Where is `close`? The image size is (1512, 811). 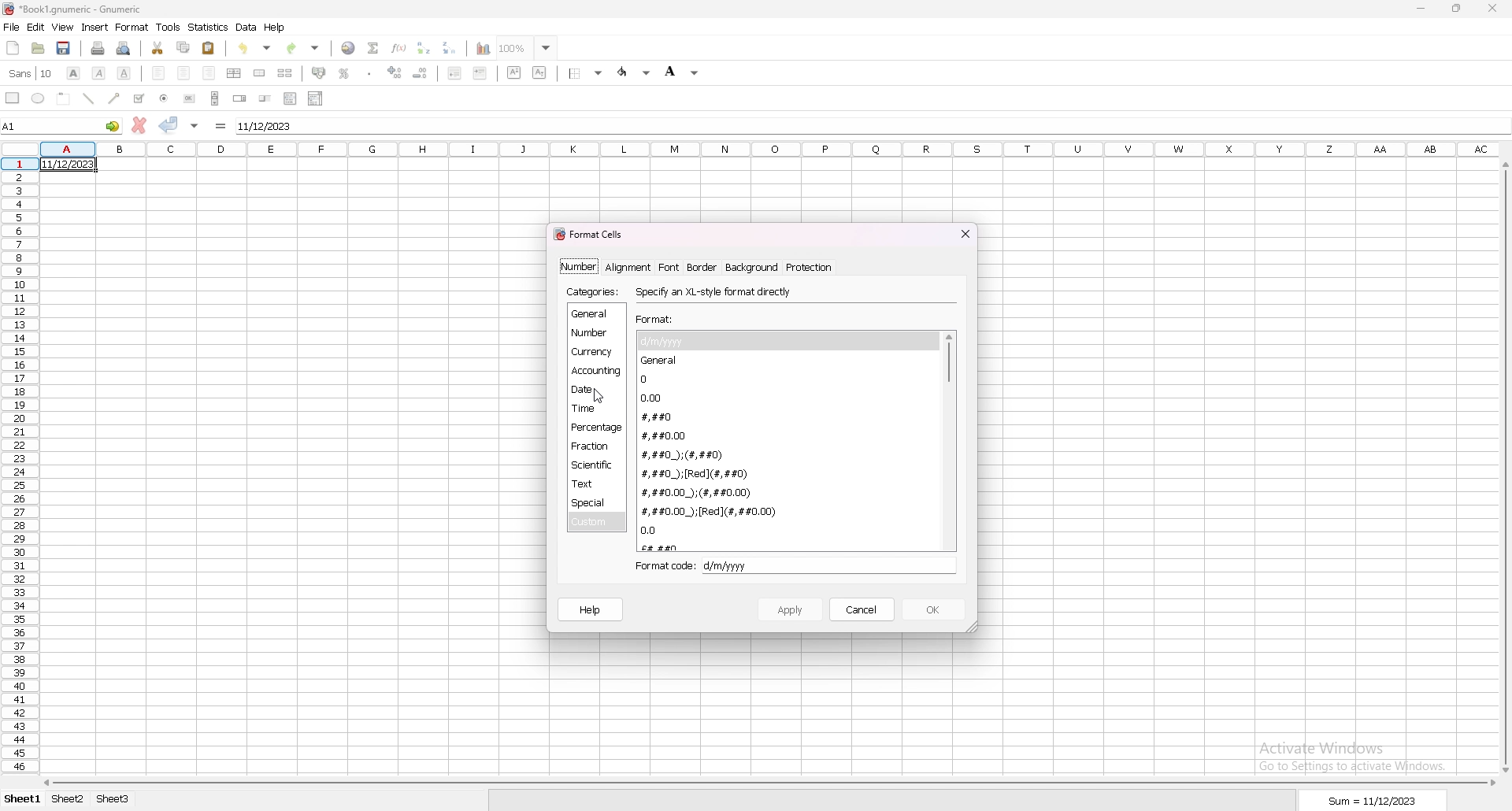
close is located at coordinates (965, 233).